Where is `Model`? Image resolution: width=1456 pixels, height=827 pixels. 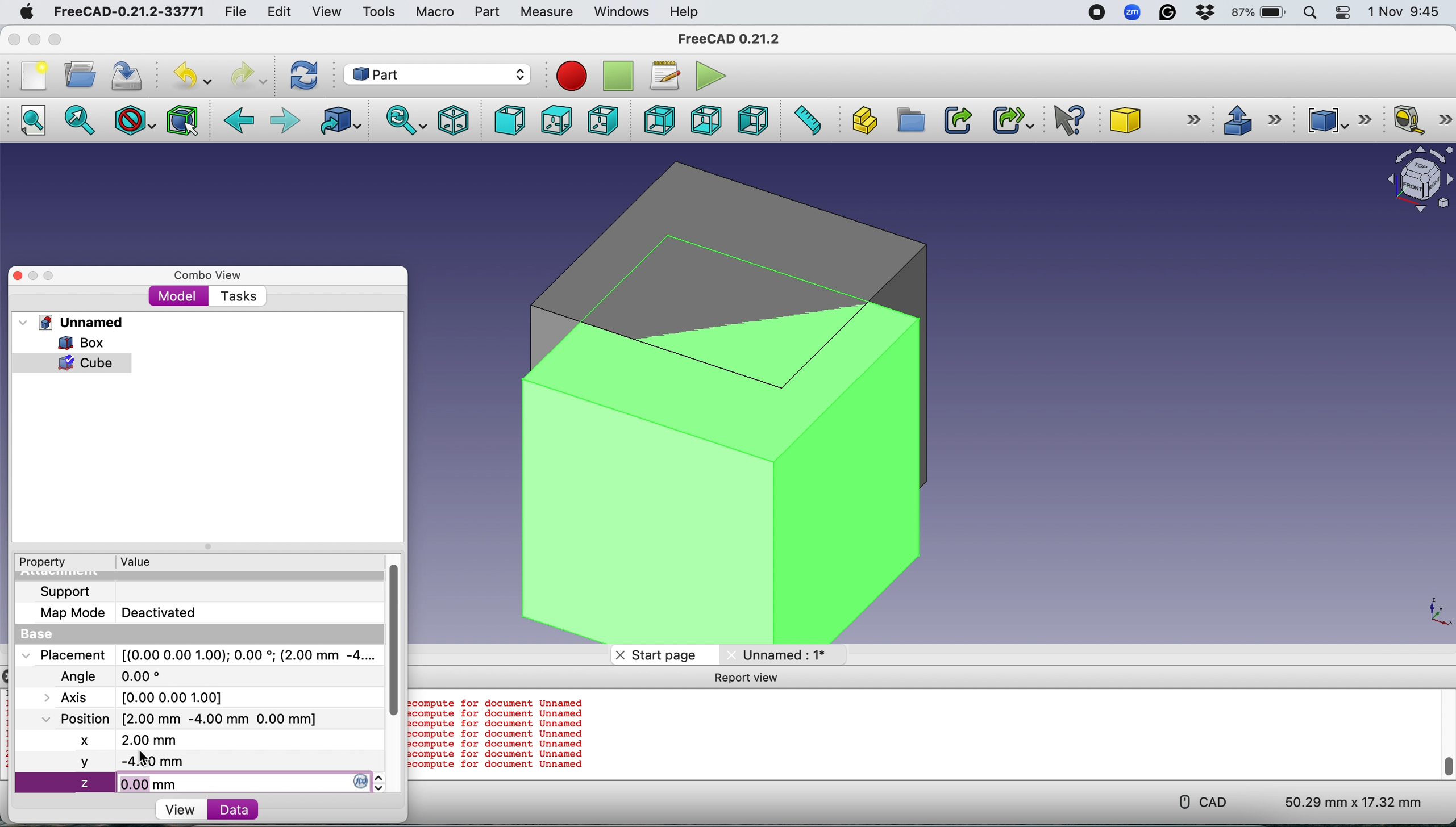
Model is located at coordinates (178, 297).